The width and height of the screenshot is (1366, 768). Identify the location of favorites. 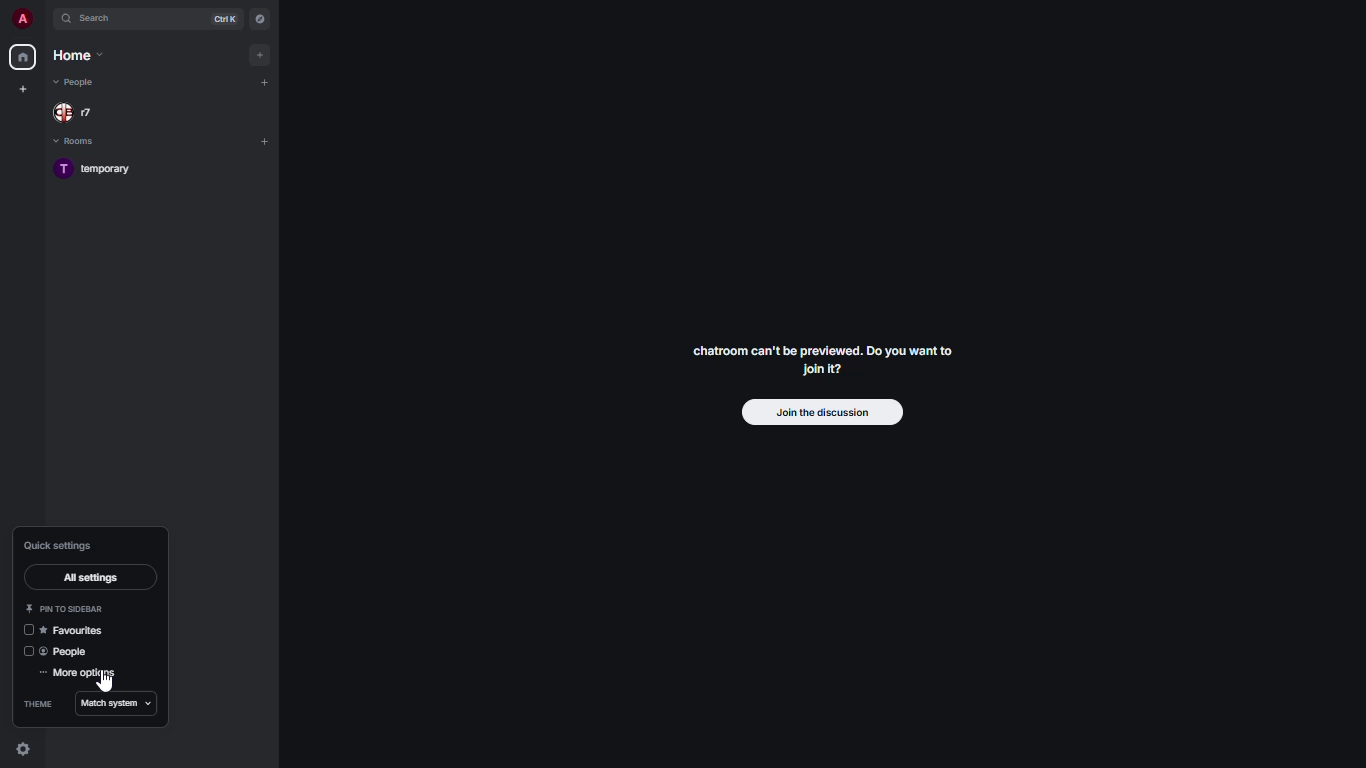
(82, 631).